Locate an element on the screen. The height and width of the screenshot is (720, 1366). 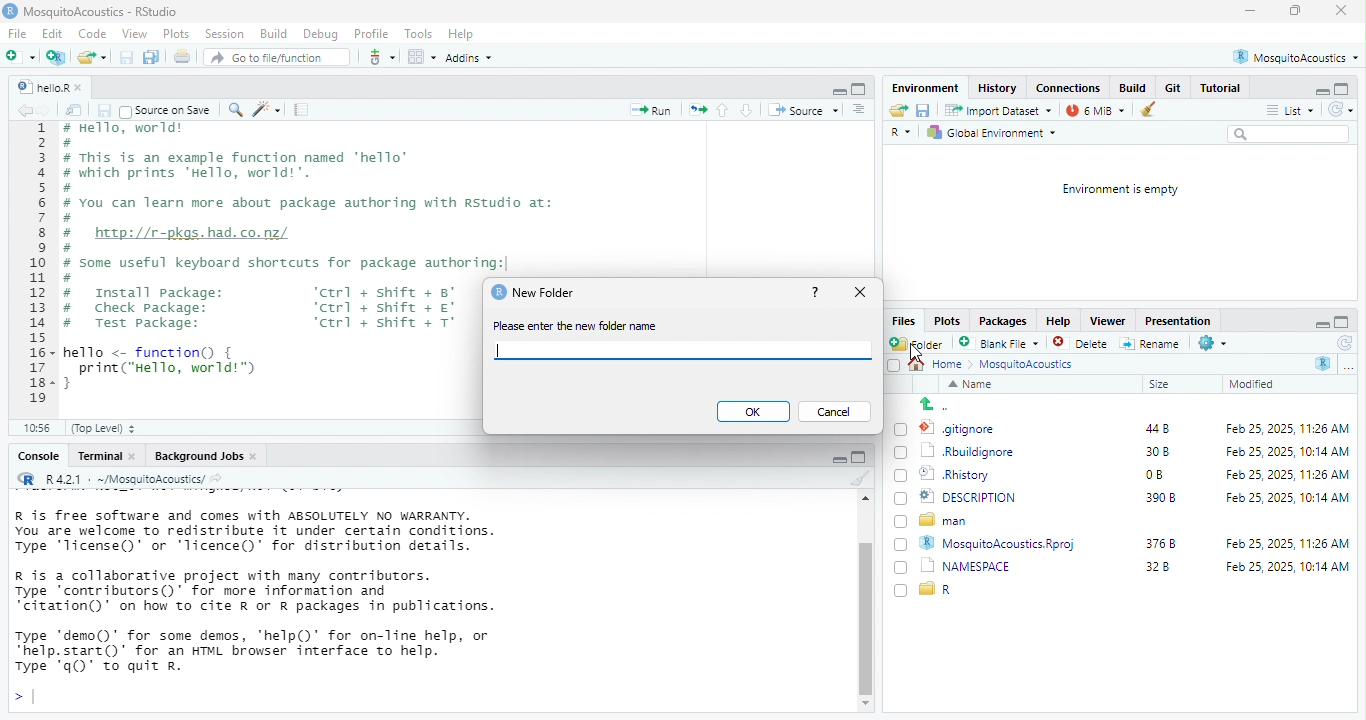
checkbox is located at coordinates (901, 453).